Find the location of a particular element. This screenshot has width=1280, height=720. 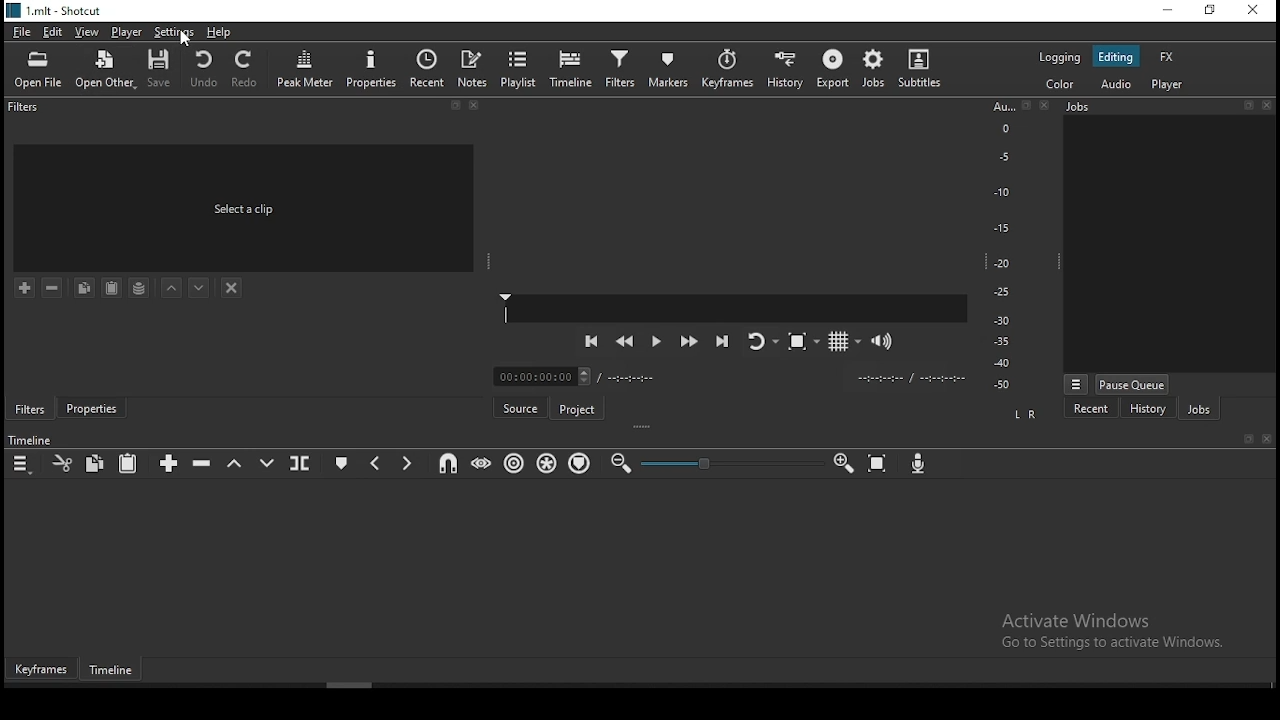

zoom timeline is located at coordinates (843, 463).